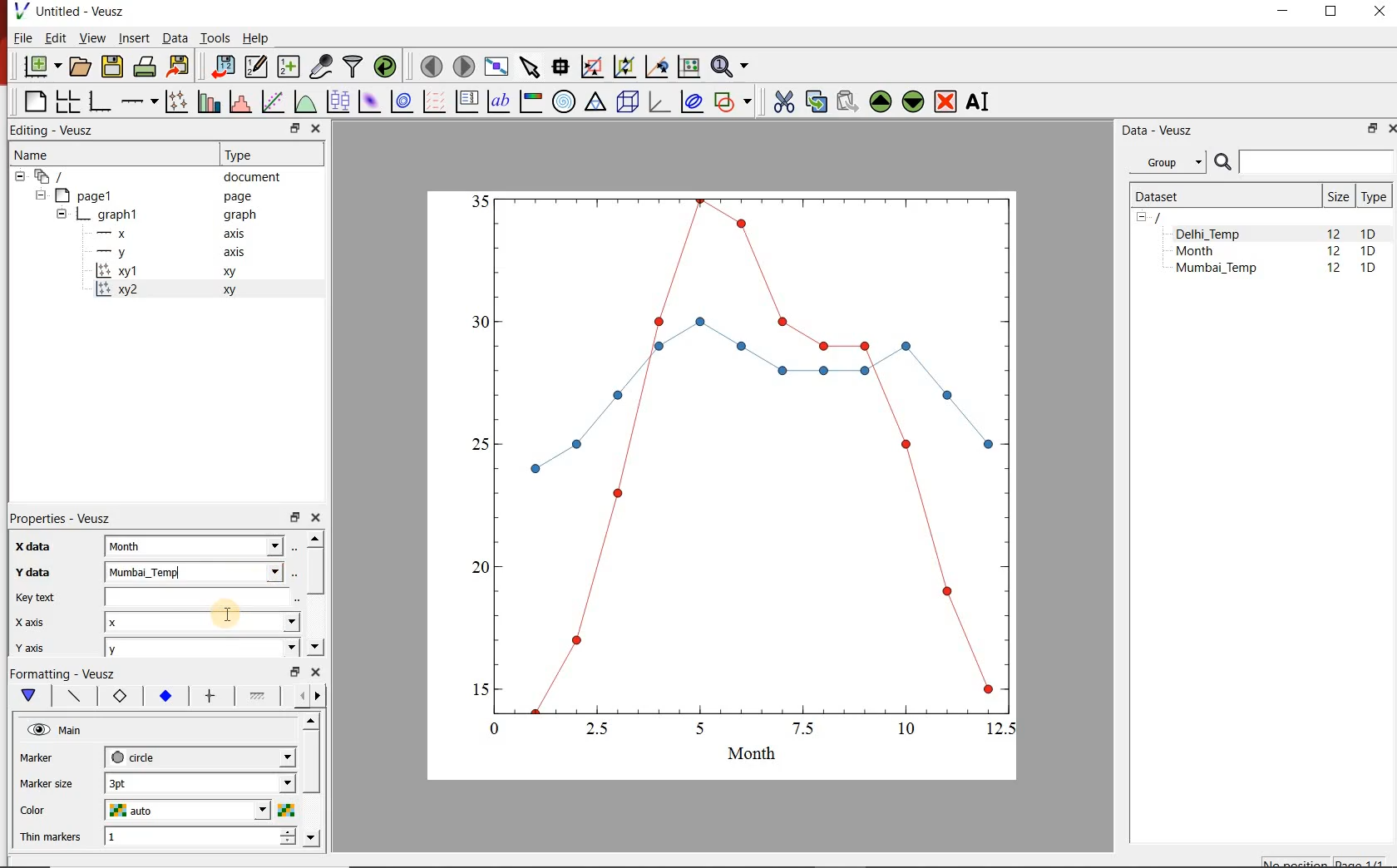 The height and width of the screenshot is (868, 1397). What do you see at coordinates (848, 101) in the screenshot?
I see `paste widget from the clipboard` at bounding box center [848, 101].